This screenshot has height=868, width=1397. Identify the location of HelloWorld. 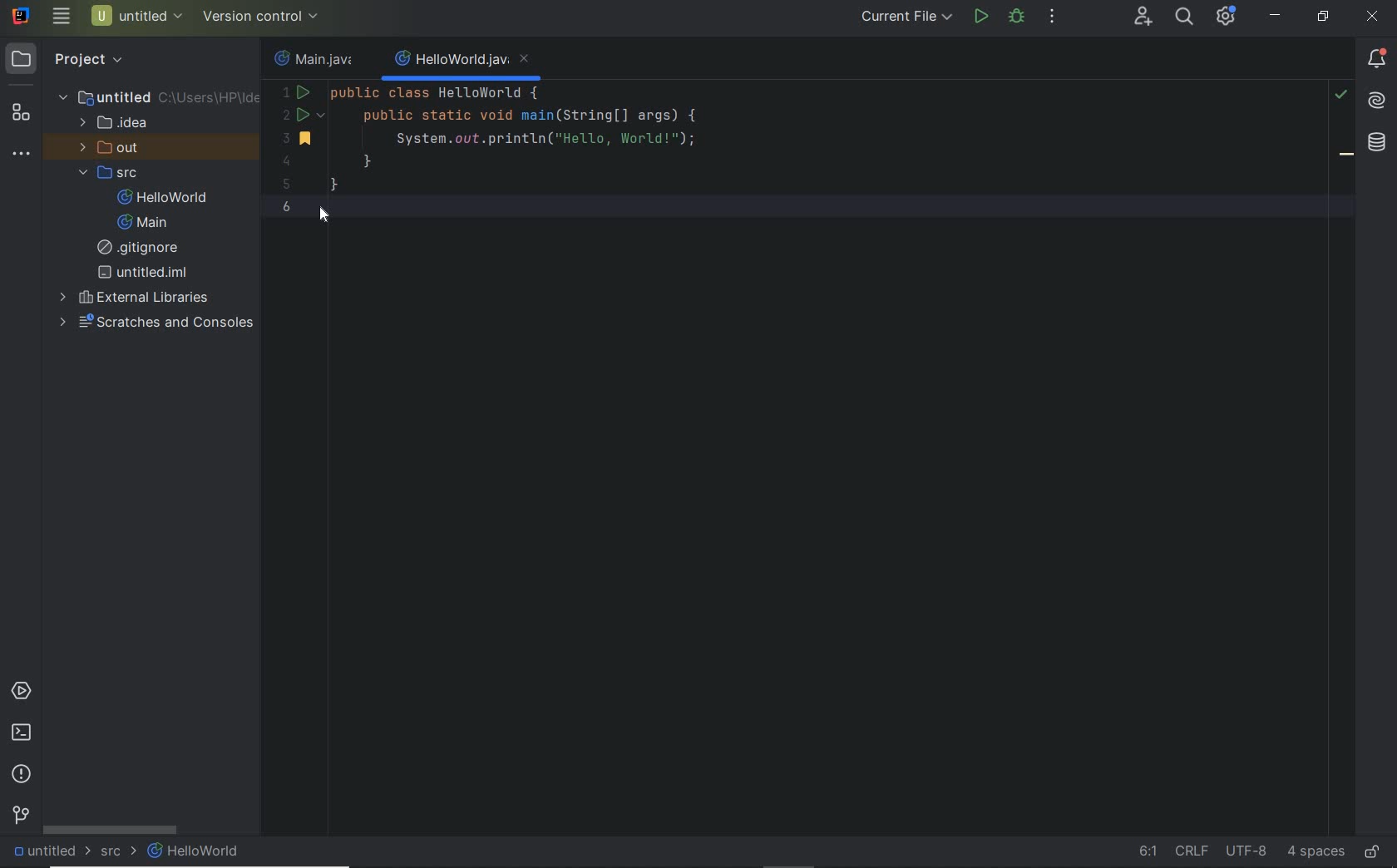
(195, 851).